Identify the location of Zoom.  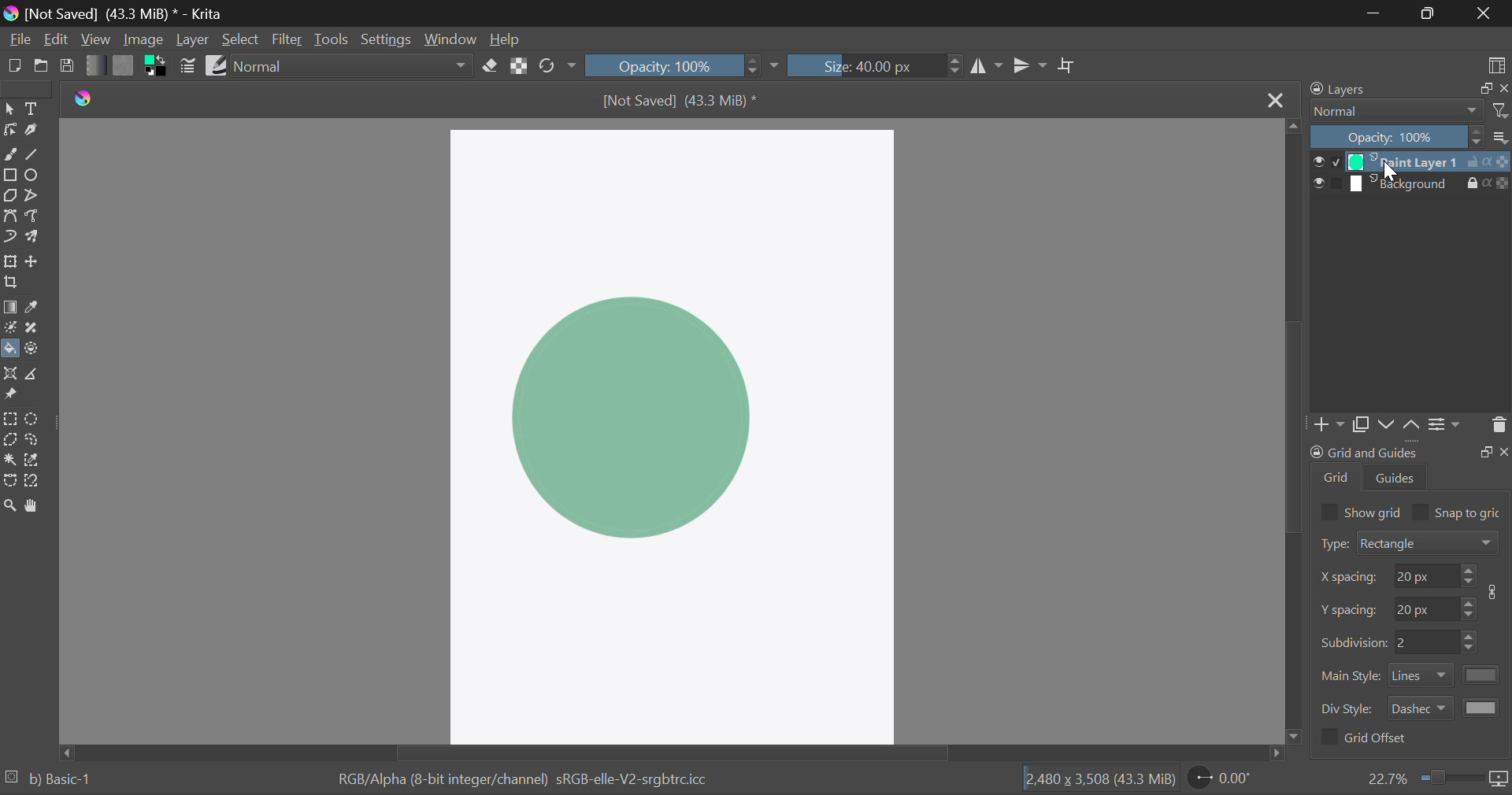
(1437, 778).